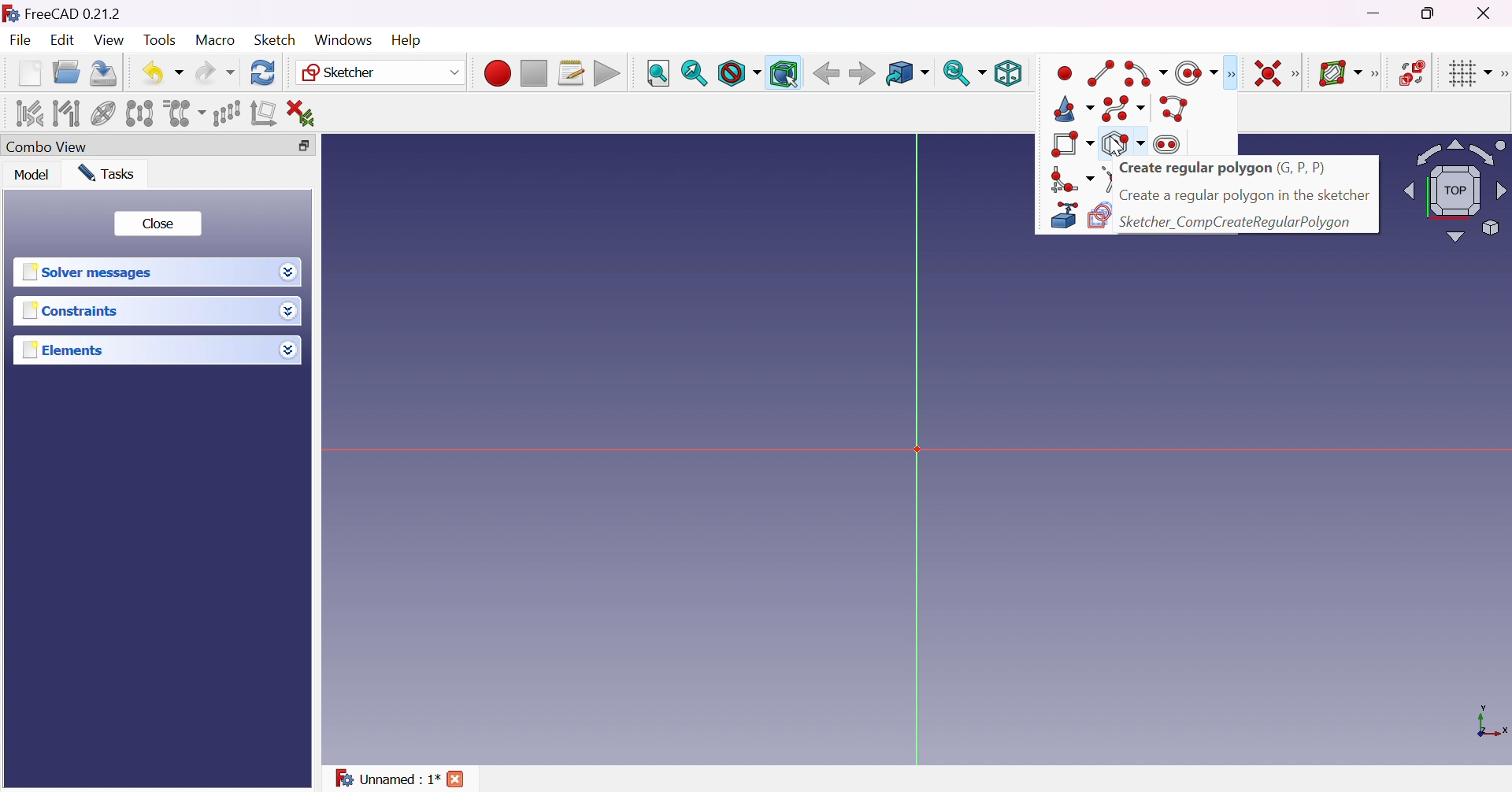 This screenshot has height=792, width=1512. Describe the element at coordinates (140, 113) in the screenshot. I see `Symmetry` at that location.